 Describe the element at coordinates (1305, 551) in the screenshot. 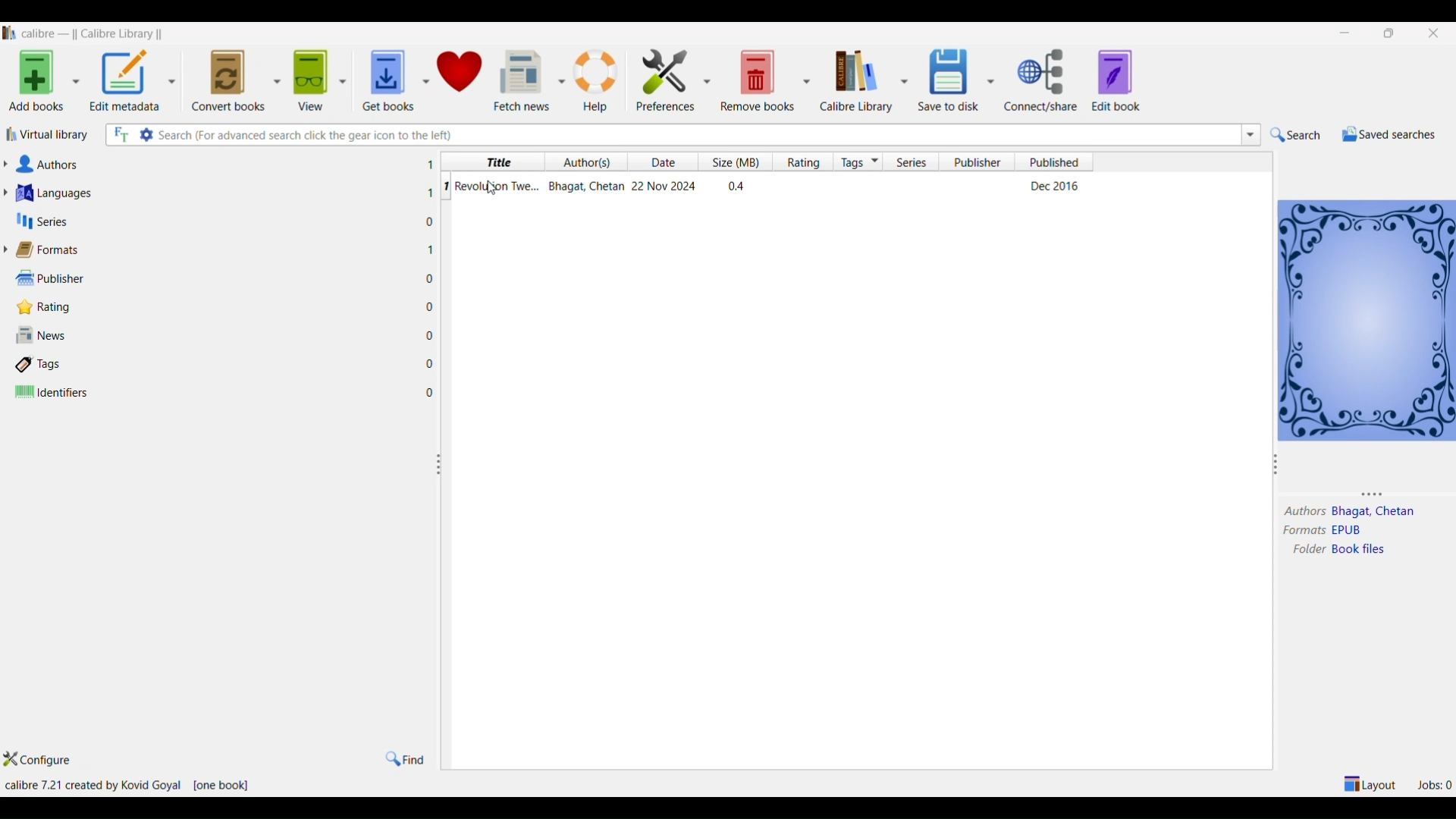

I see `folder` at that location.